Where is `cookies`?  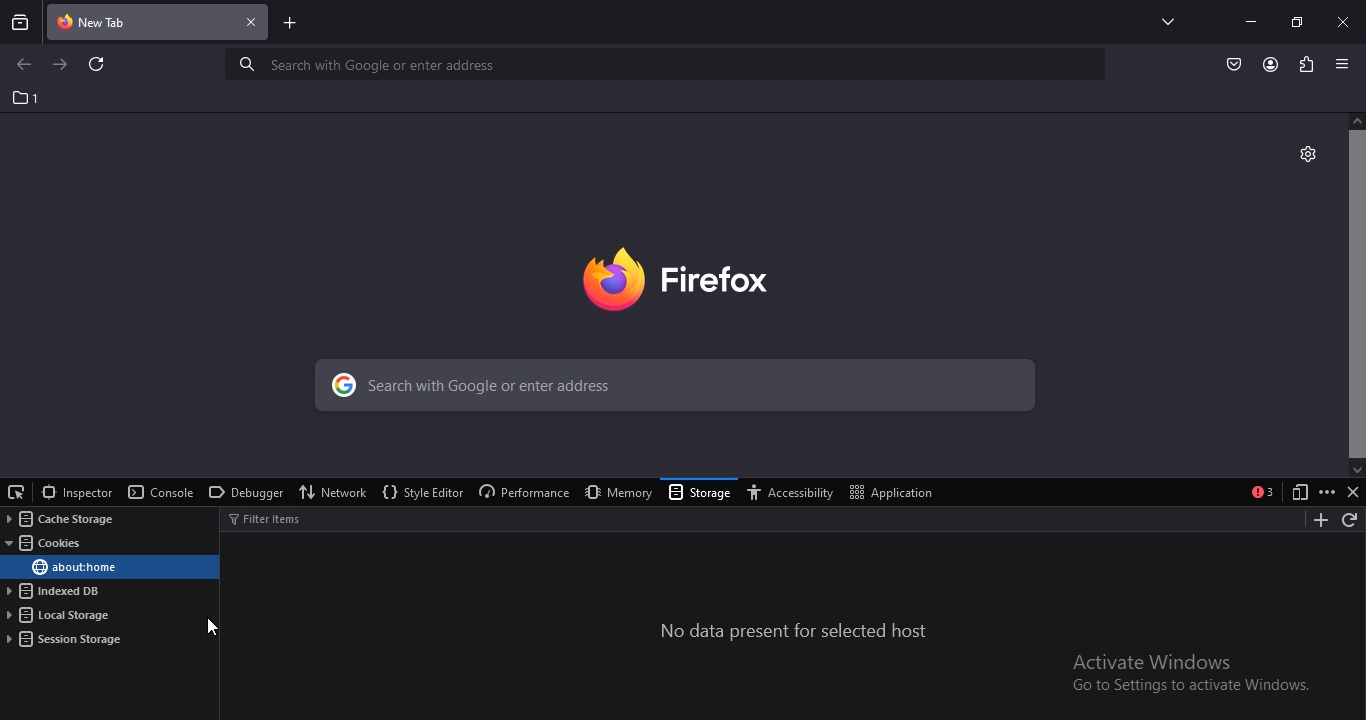 cookies is located at coordinates (48, 544).